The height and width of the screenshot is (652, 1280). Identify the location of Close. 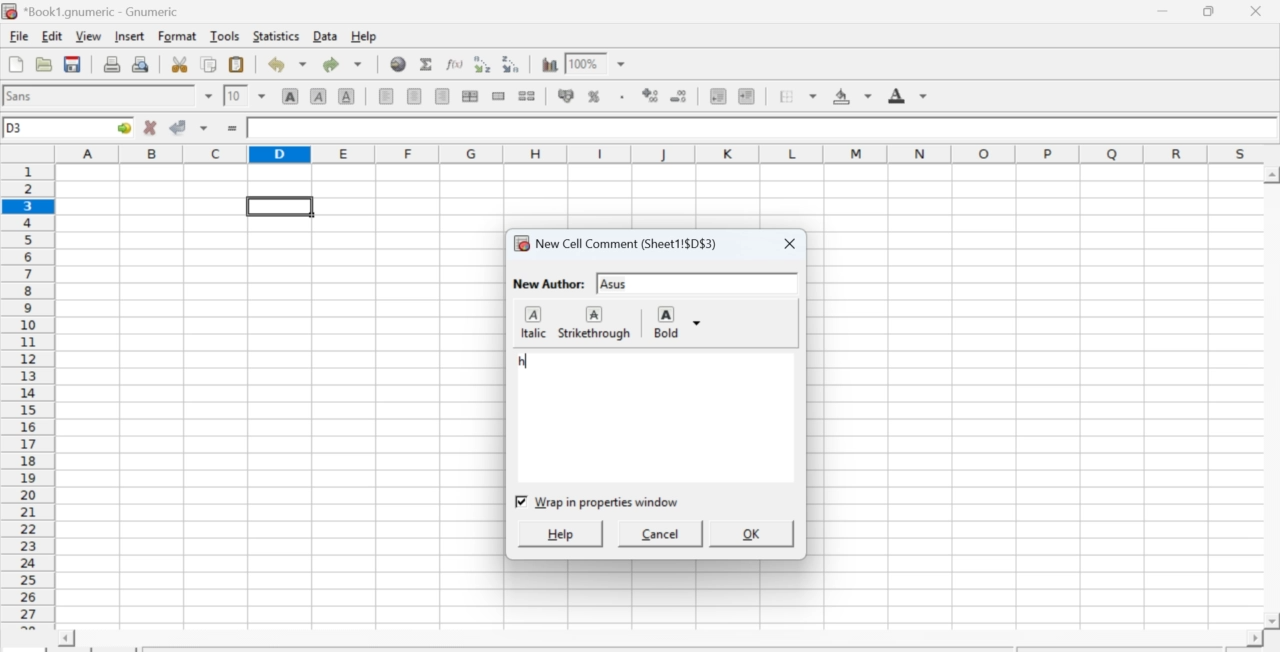
(1257, 12).